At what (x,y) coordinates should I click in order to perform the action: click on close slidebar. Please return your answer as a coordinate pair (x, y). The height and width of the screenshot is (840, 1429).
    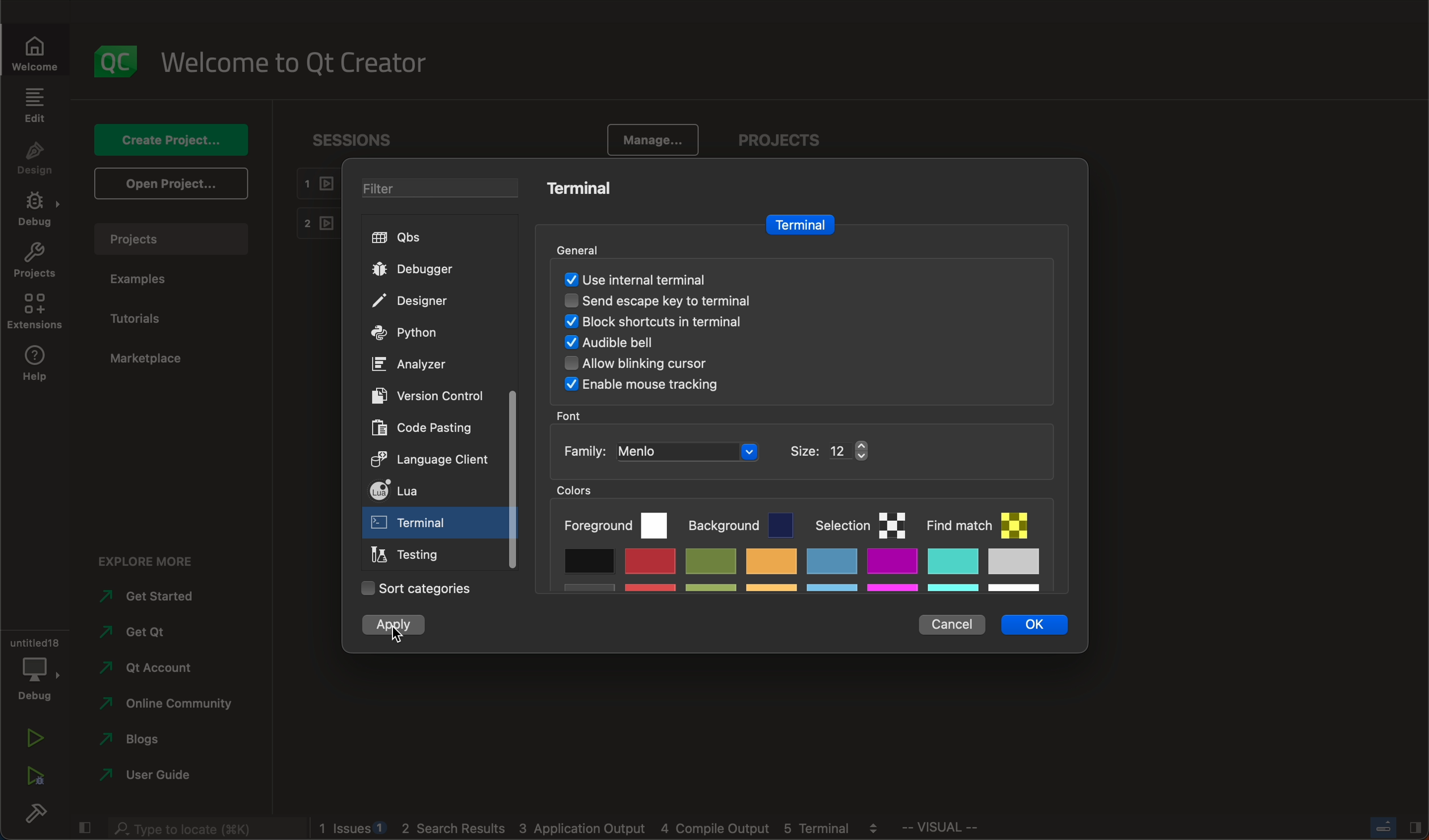
    Looking at the image, I should click on (84, 828).